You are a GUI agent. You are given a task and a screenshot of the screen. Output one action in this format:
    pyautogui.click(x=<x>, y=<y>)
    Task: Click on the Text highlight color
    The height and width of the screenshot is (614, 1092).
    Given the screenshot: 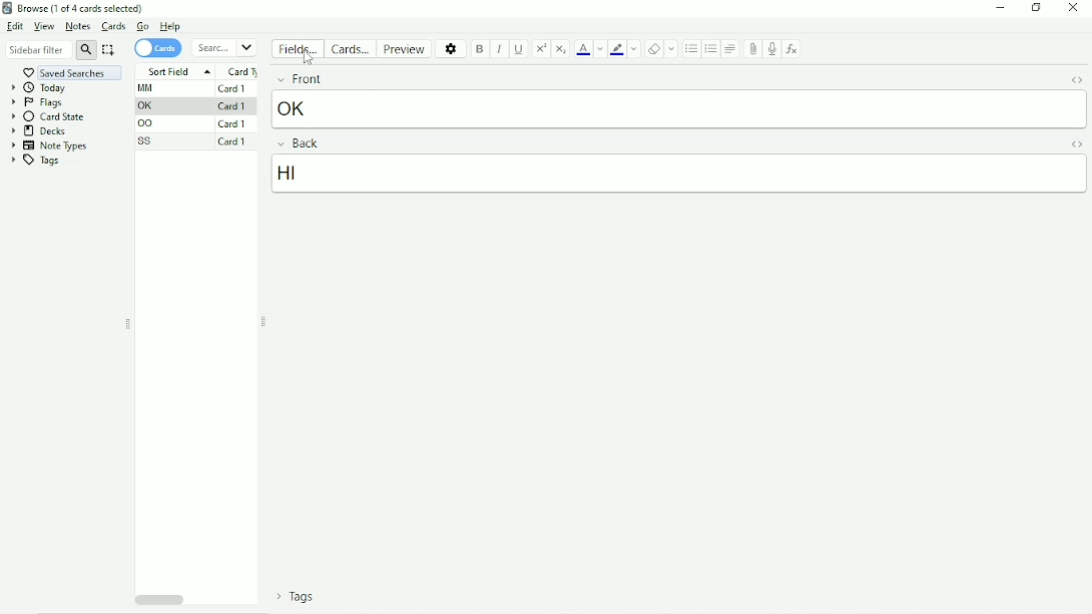 What is the action you would take?
    pyautogui.click(x=617, y=50)
    